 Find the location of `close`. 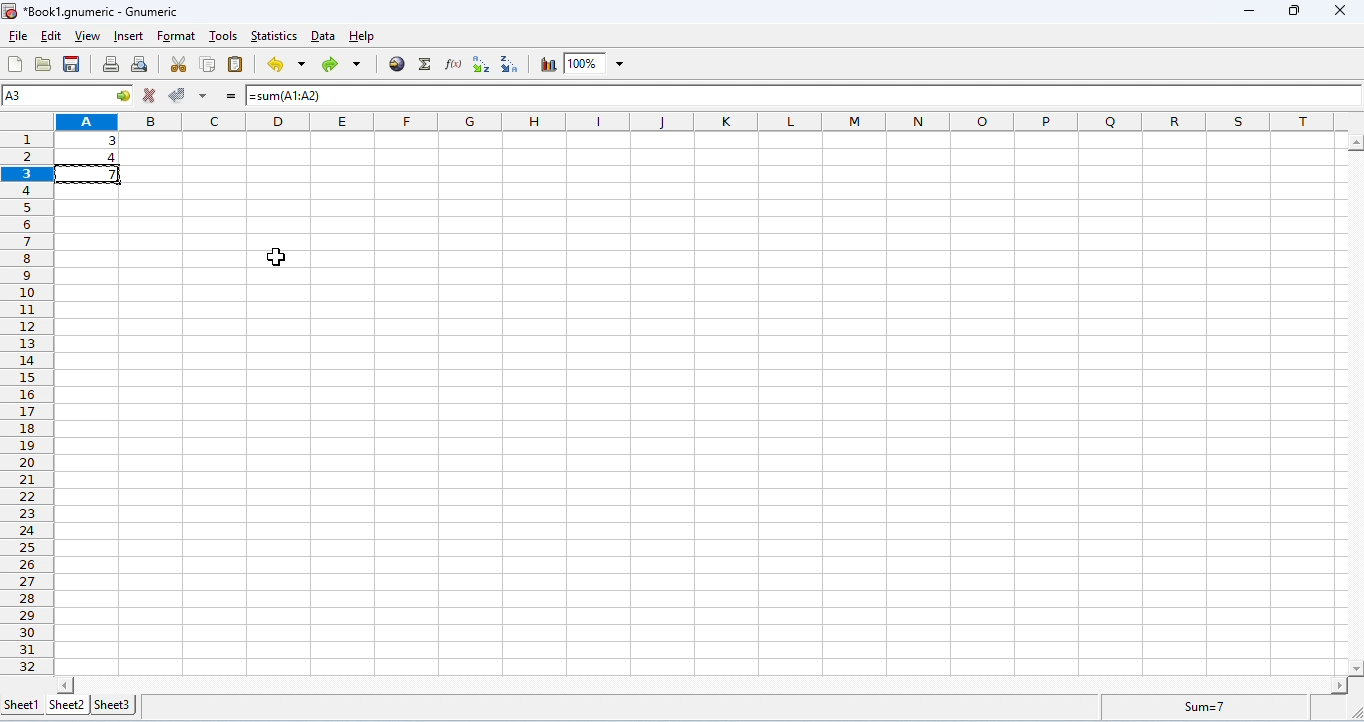

close is located at coordinates (1338, 10).